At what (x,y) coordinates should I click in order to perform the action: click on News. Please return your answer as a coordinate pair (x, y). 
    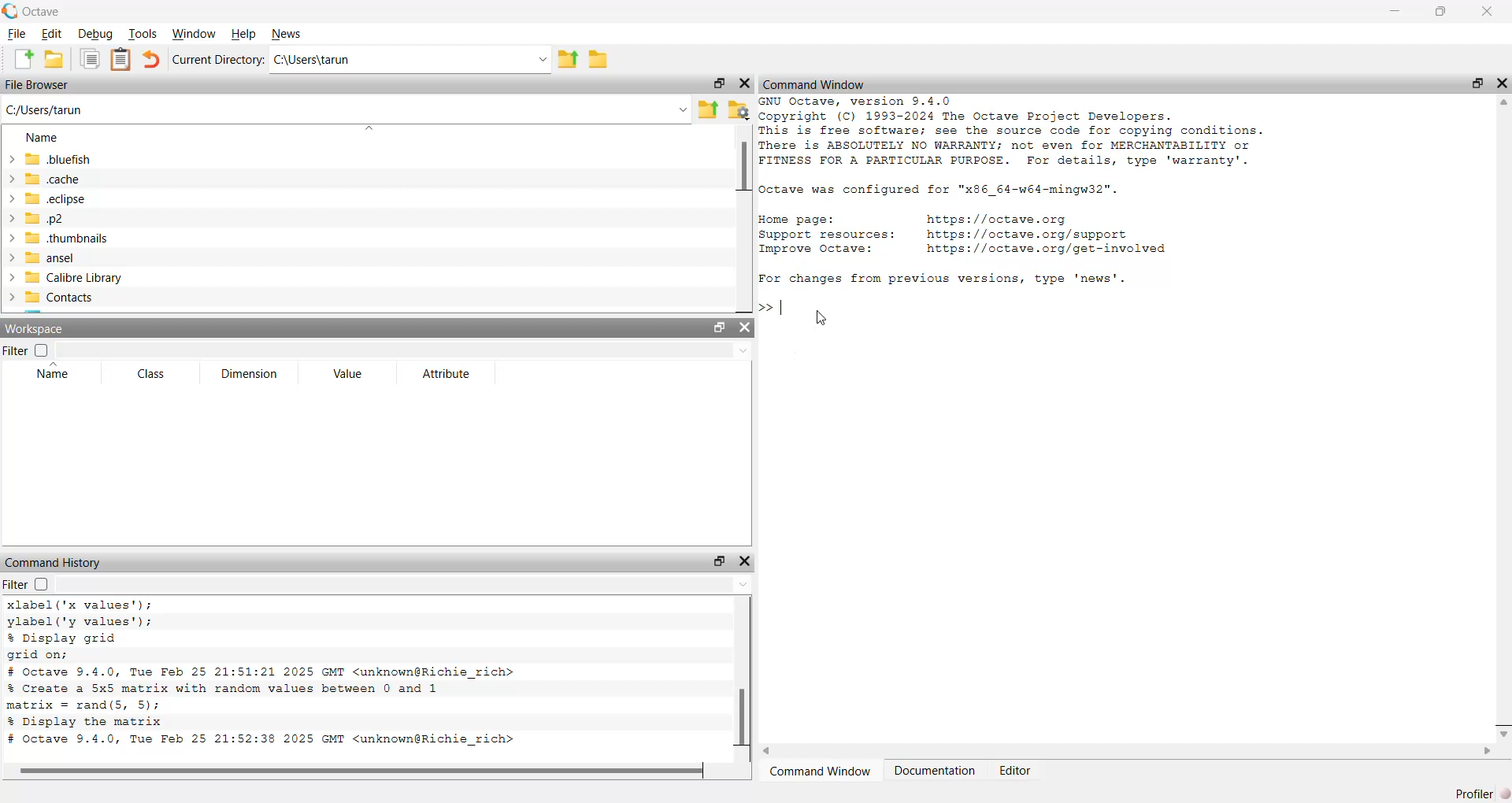
    Looking at the image, I should click on (290, 32).